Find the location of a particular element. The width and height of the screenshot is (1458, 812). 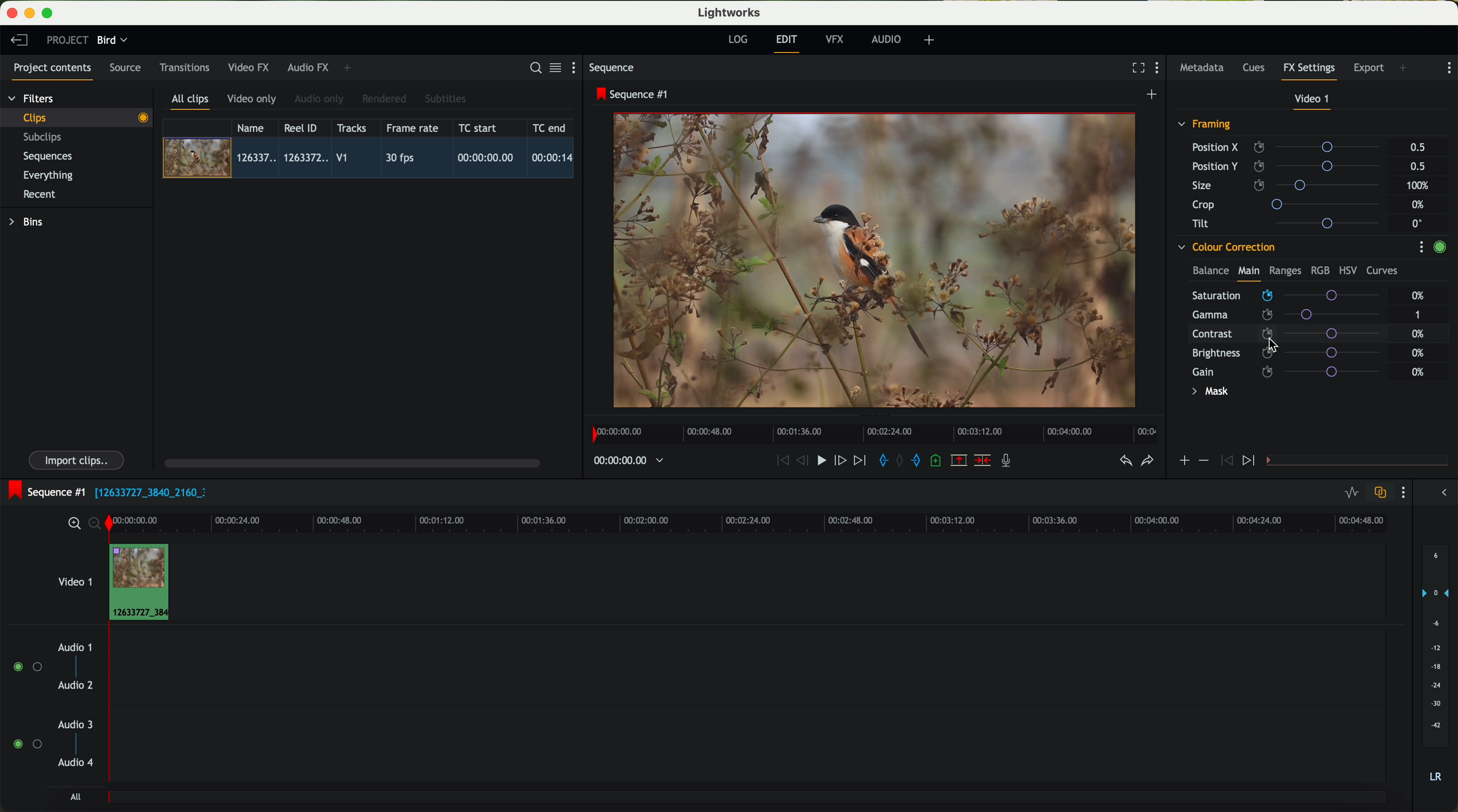

drag video to video track 1 is located at coordinates (144, 583).